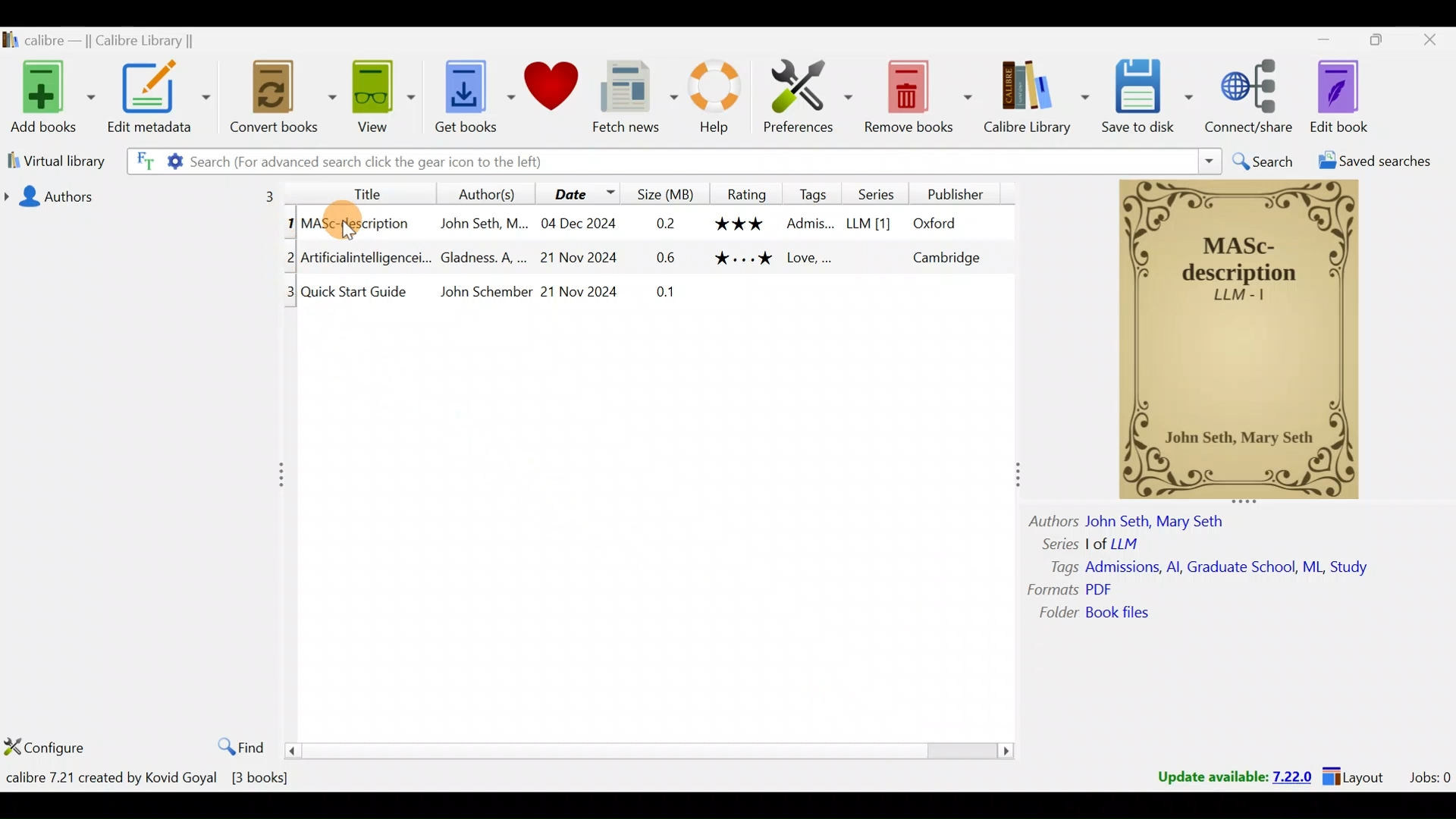  Describe the element at coordinates (289, 258) in the screenshot. I see `` at that location.